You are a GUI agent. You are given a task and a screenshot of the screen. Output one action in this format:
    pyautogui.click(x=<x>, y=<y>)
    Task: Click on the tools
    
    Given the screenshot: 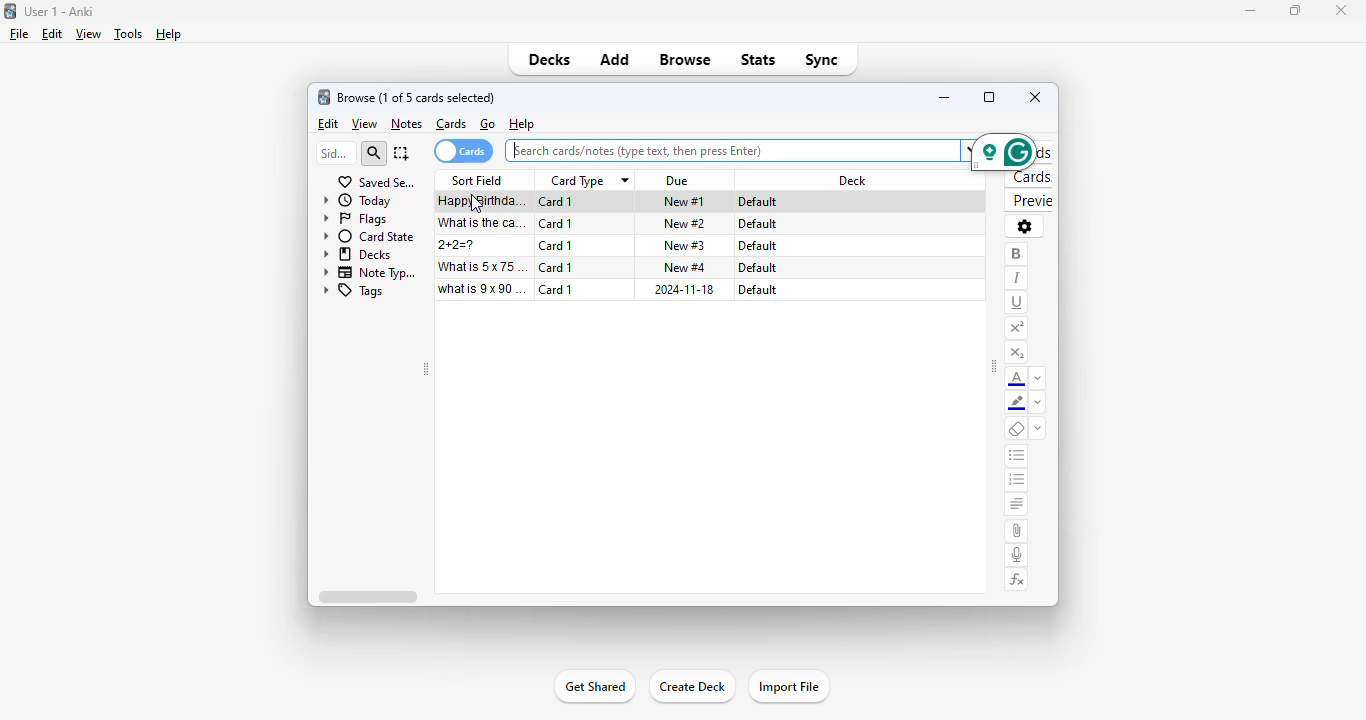 What is the action you would take?
    pyautogui.click(x=128, y=35)
    